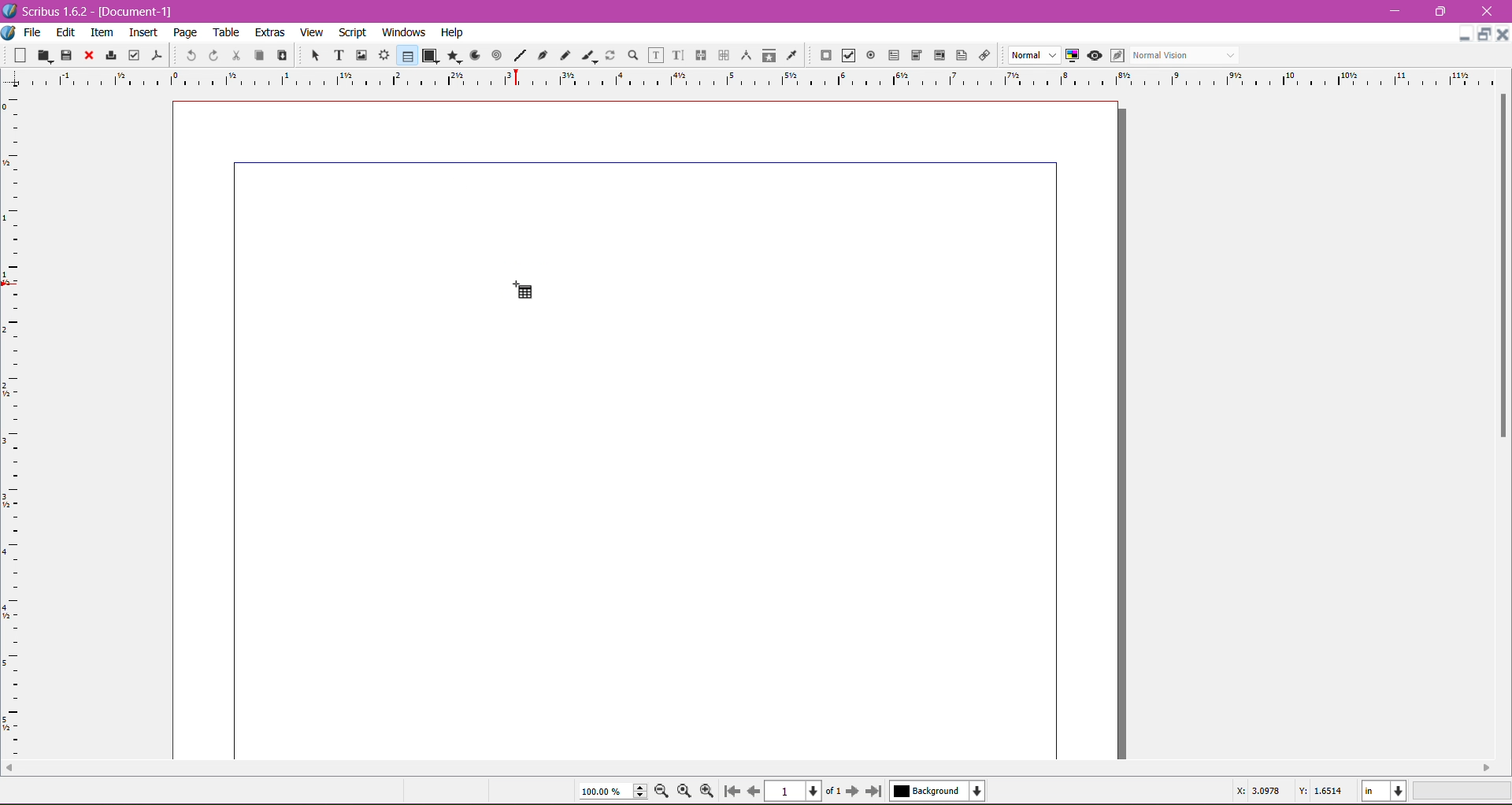 The image size is (1512, 805). I want to click on Scribus 1.6.2 - [Document-1], so click(94, 11).